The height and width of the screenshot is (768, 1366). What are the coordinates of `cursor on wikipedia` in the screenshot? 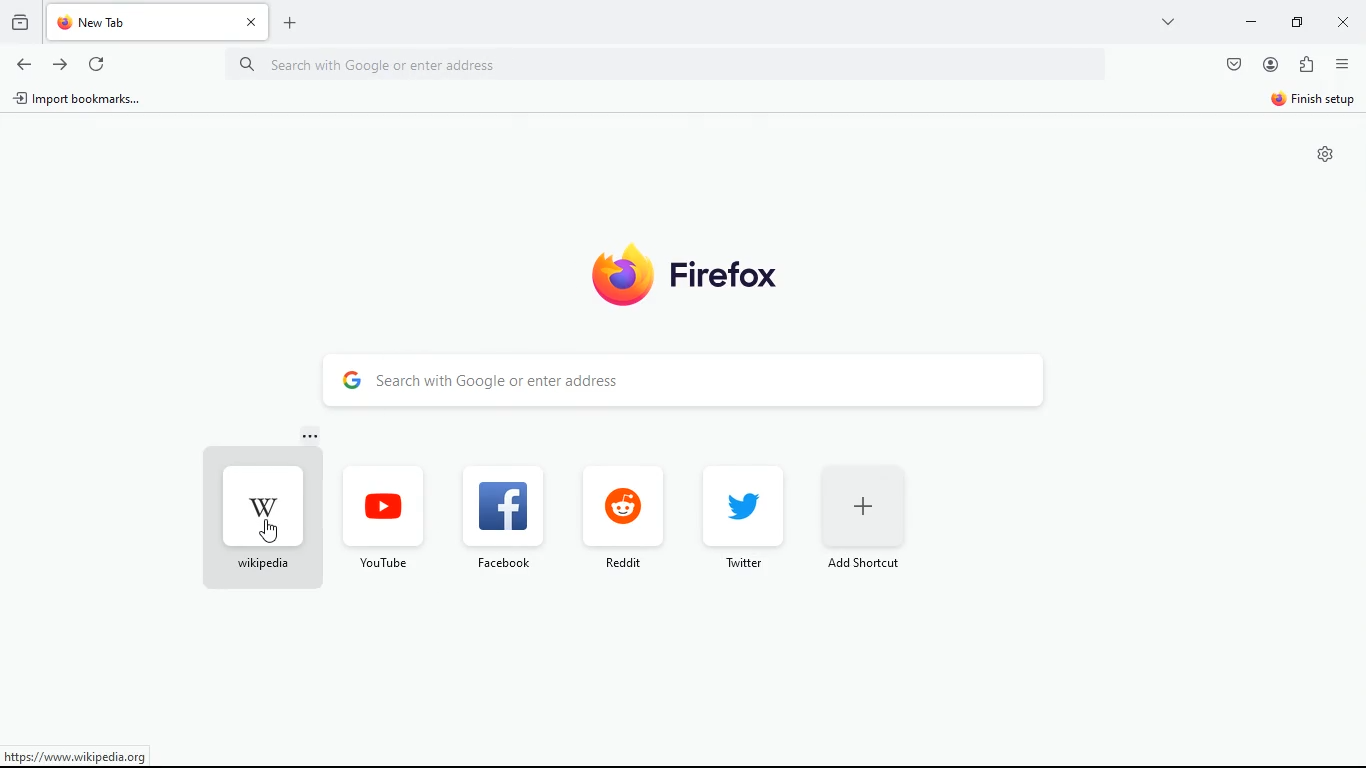 It's located at (270, 532).